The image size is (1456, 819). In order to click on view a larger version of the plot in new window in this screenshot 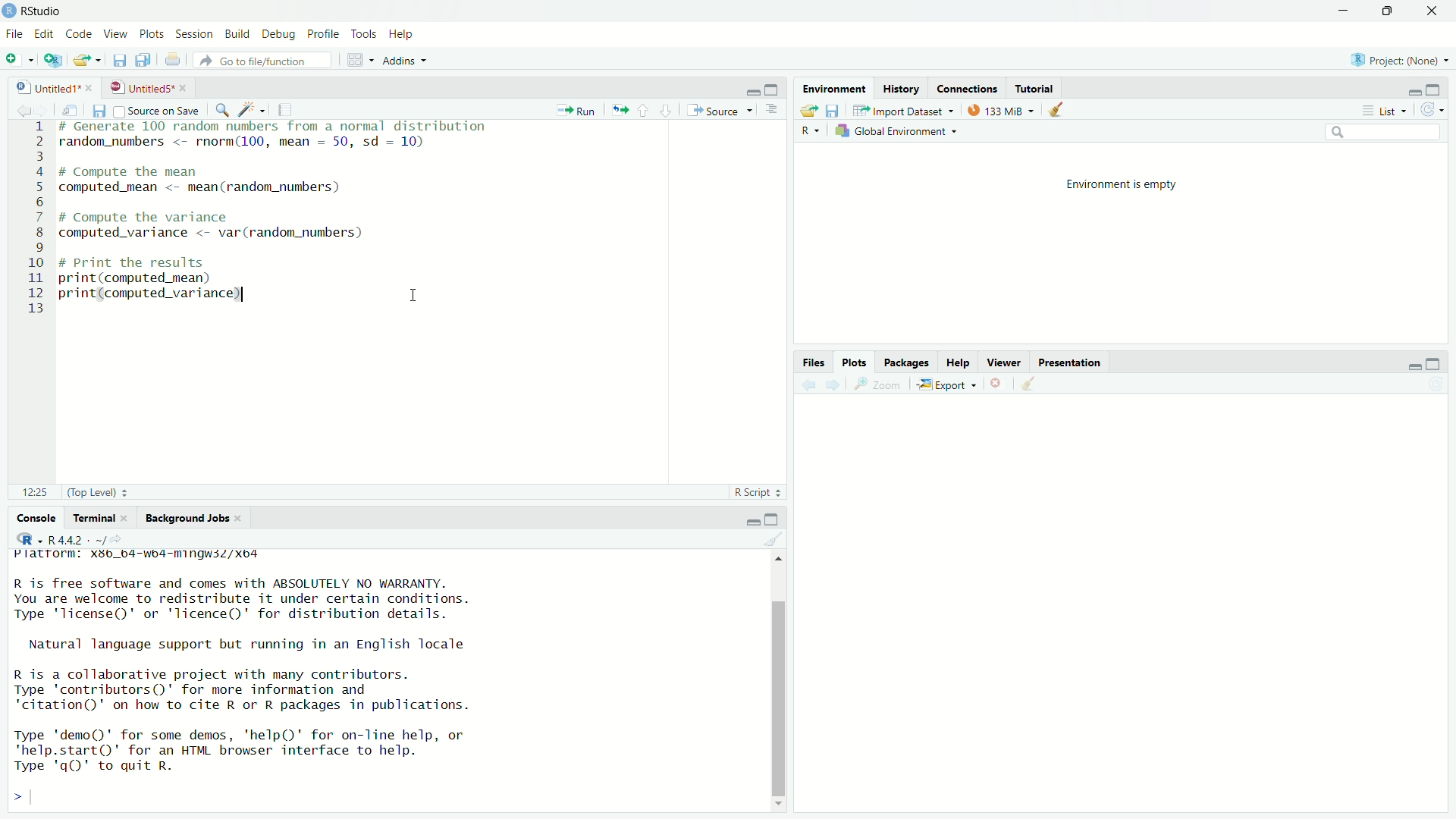, I will do `click(881, 387)`.